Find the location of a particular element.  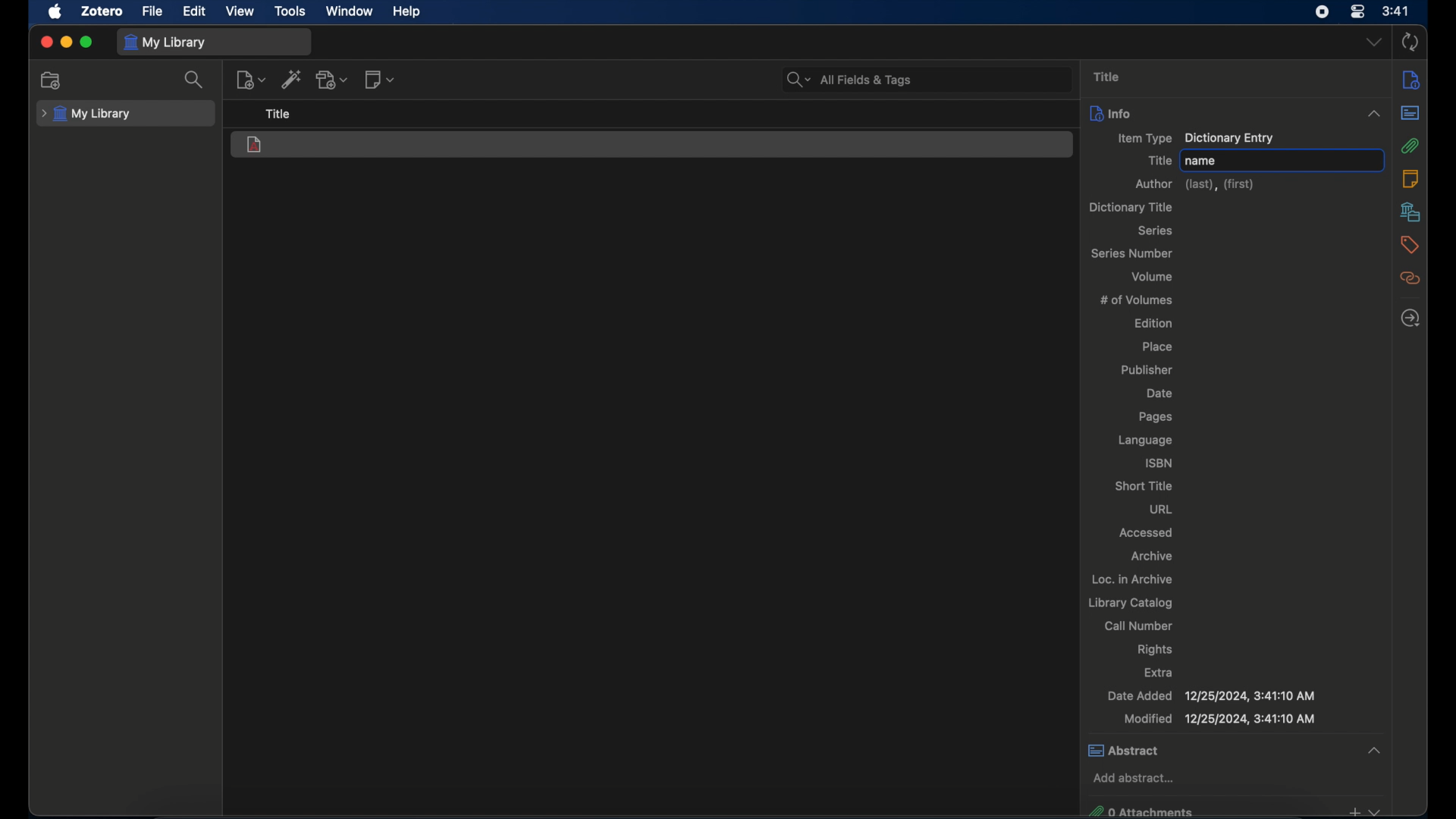

related is located at coordinates (1411, 278).